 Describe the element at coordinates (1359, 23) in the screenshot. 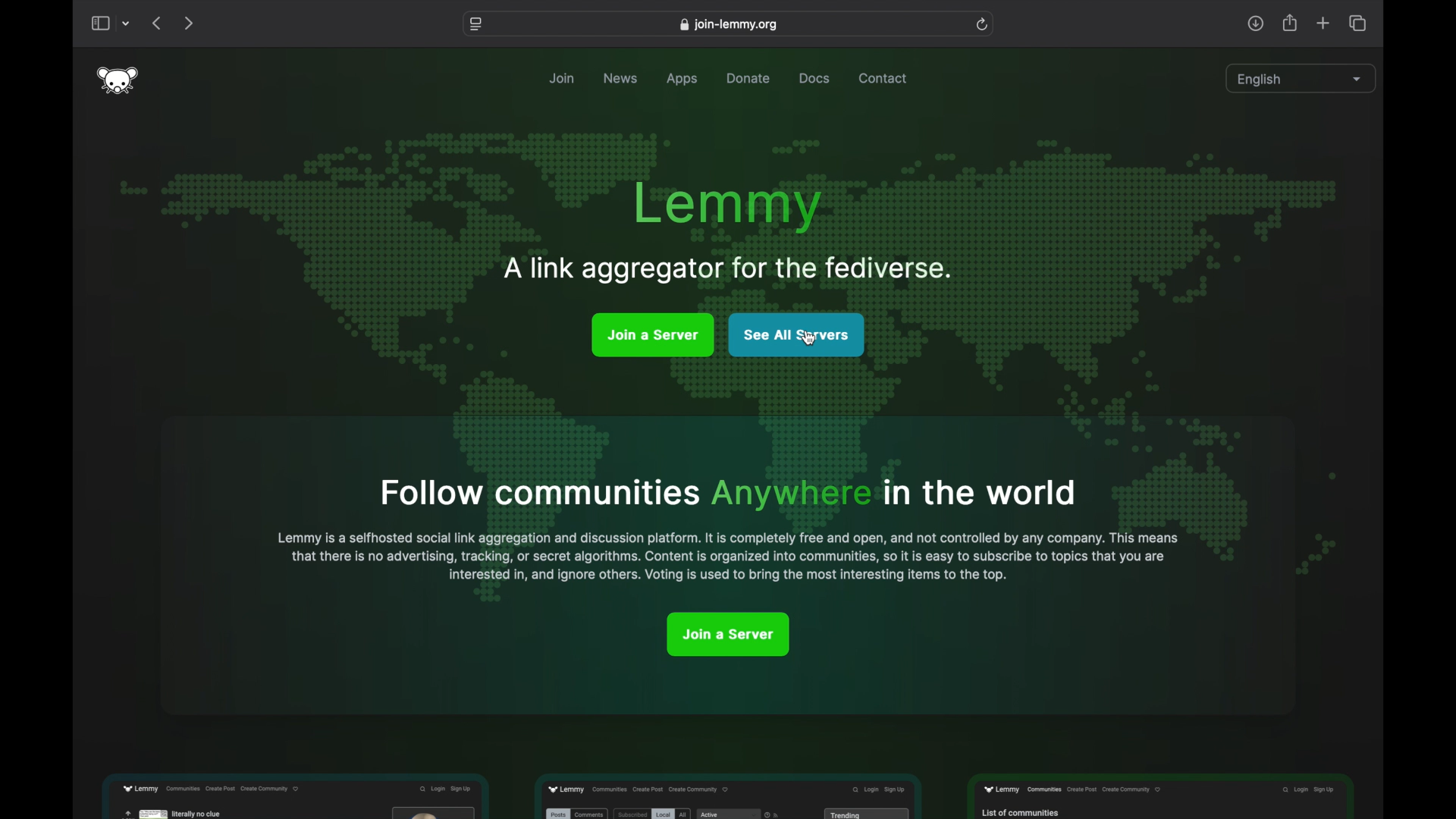

I see `show tab overview` at that location.